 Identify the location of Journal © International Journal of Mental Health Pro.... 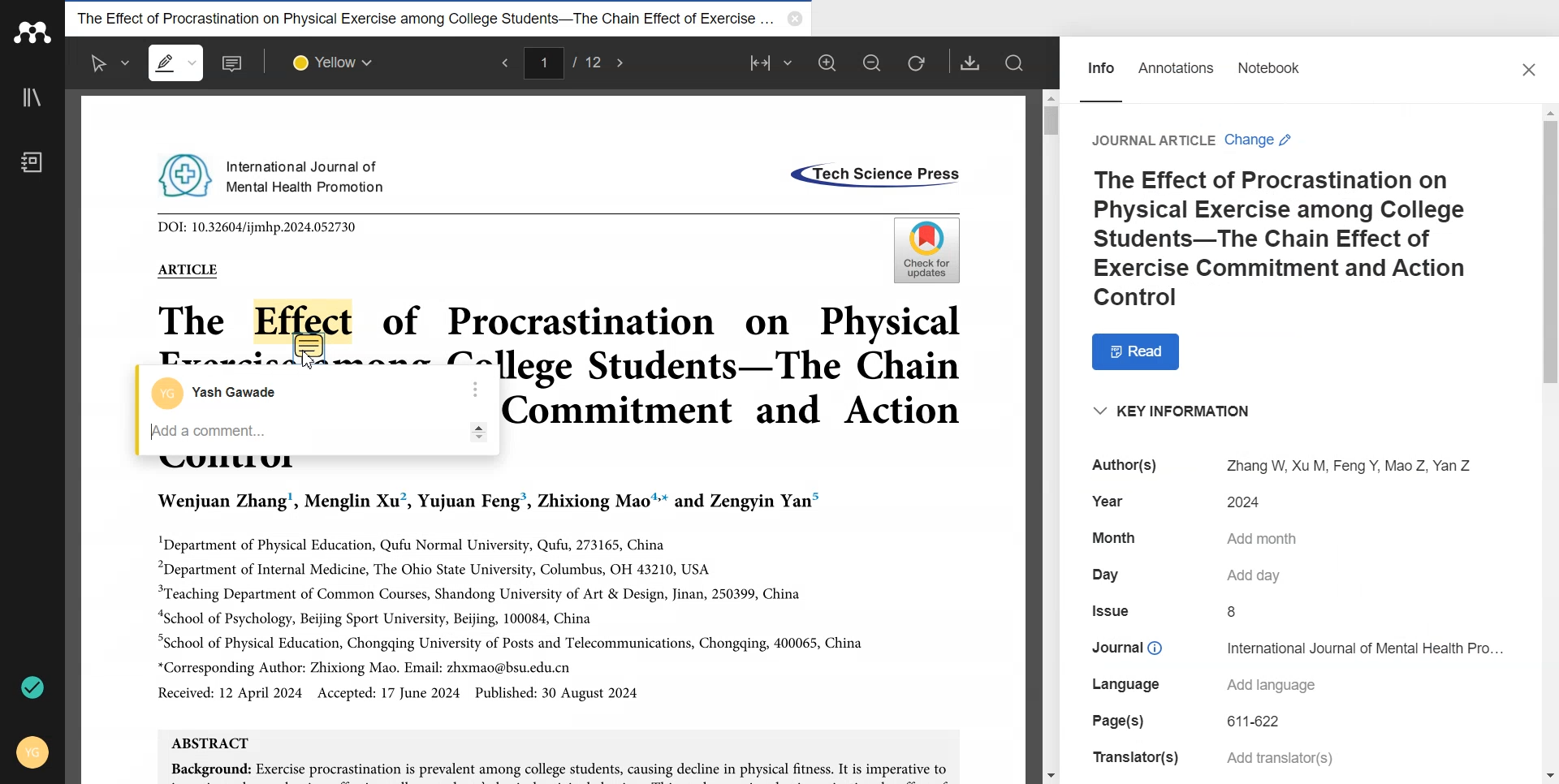
(1299, 646).